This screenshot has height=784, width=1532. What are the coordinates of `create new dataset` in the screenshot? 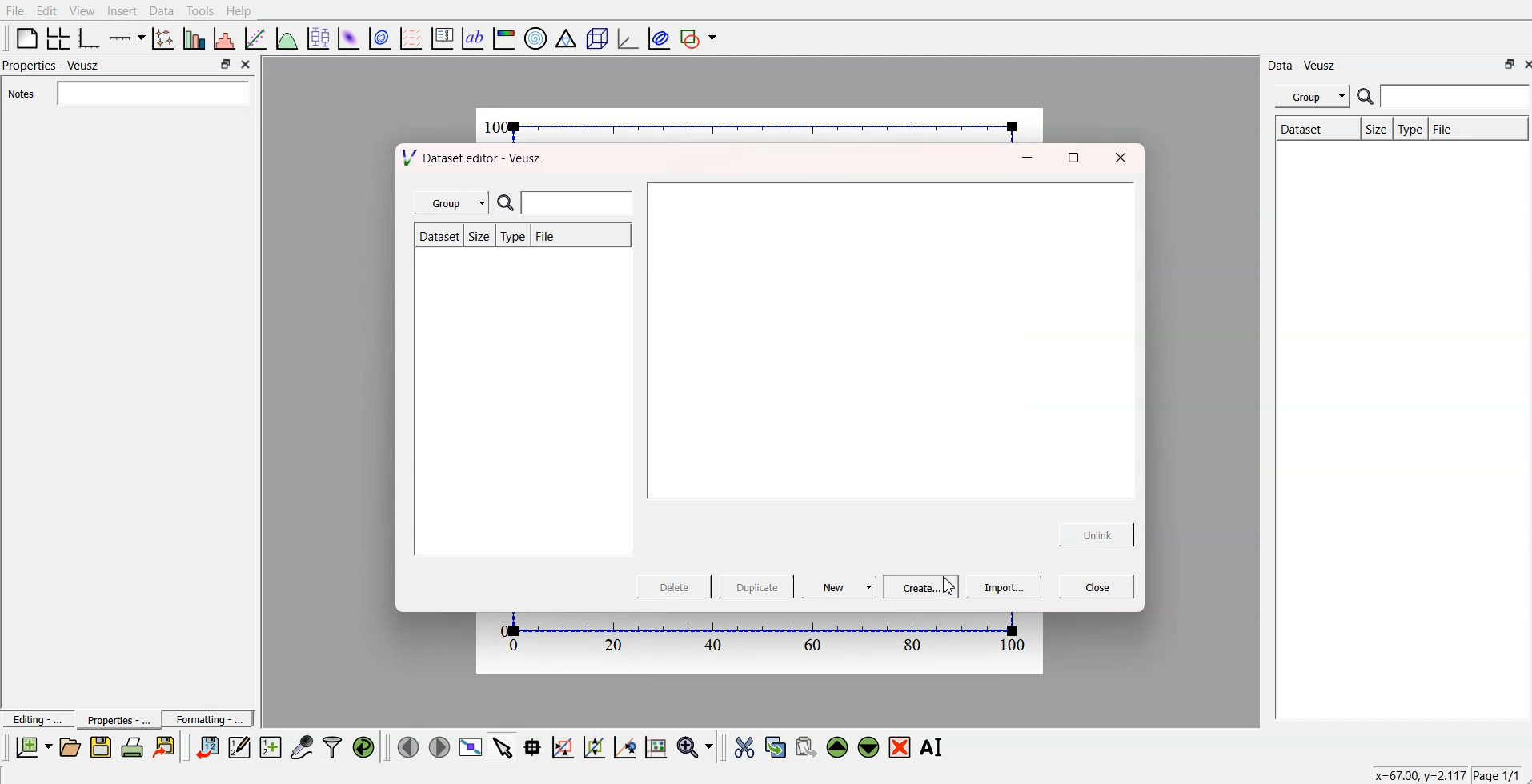 It's located at (270, 745).